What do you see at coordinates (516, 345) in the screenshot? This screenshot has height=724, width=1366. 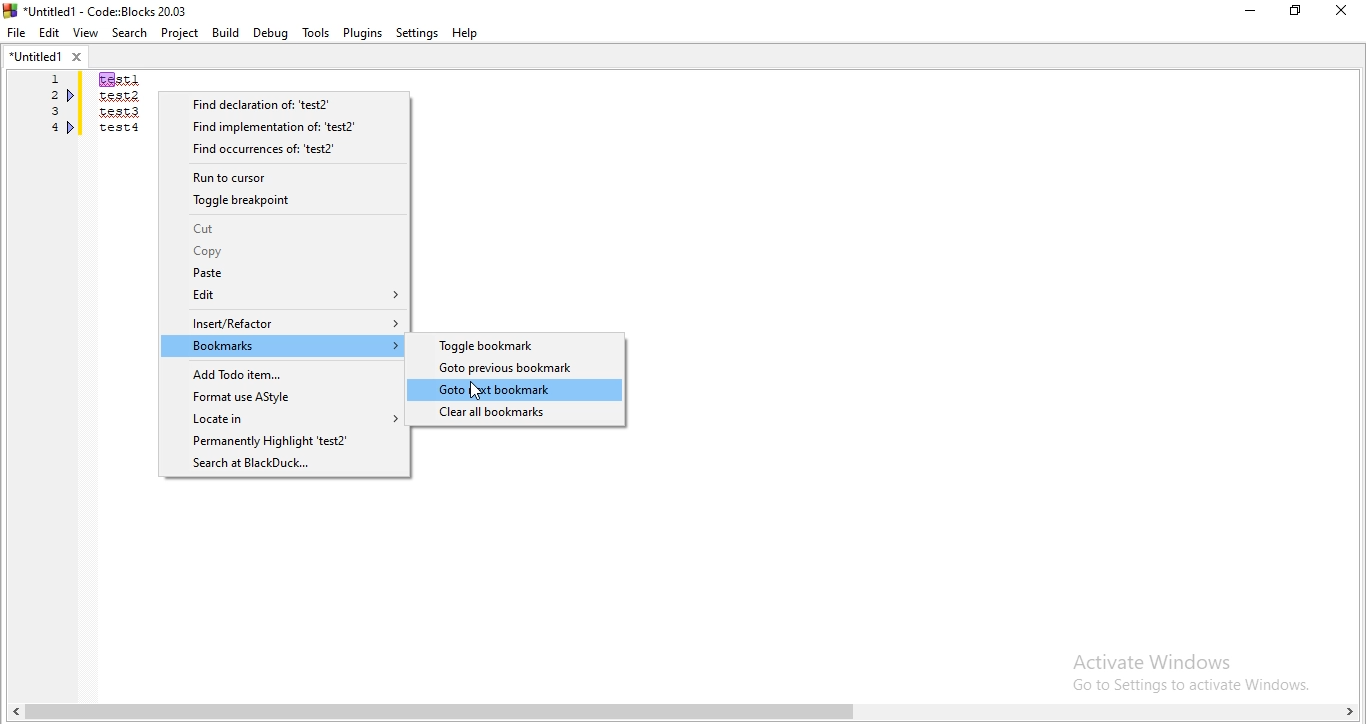 I see `Toggle bookmark` at bounding box center [516, 345].